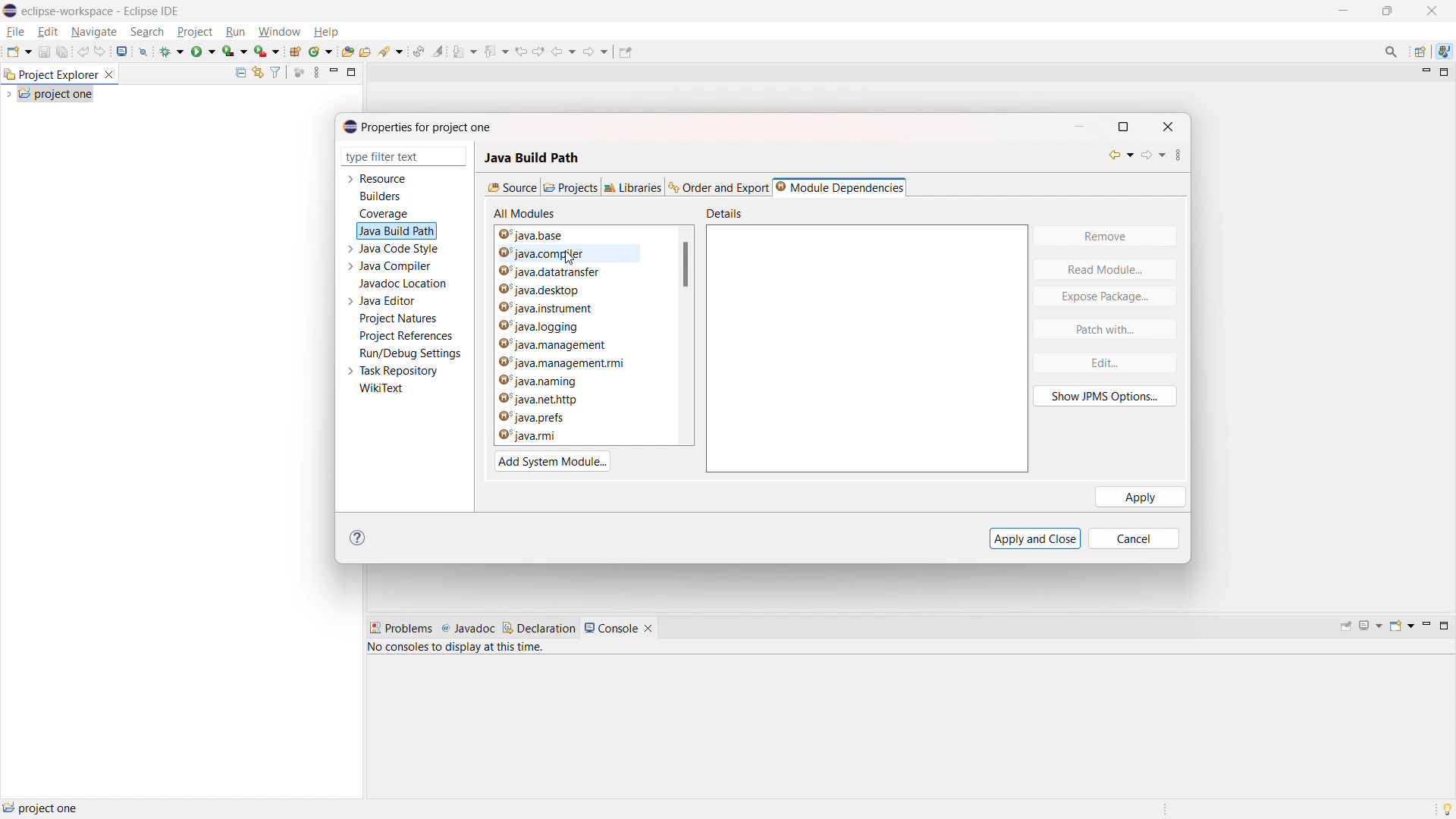 The image size is (1456, 819). What do you see at coordinates (573, 260) in the screenshot?
I see `cursor ` at bounding box center [573, 260].